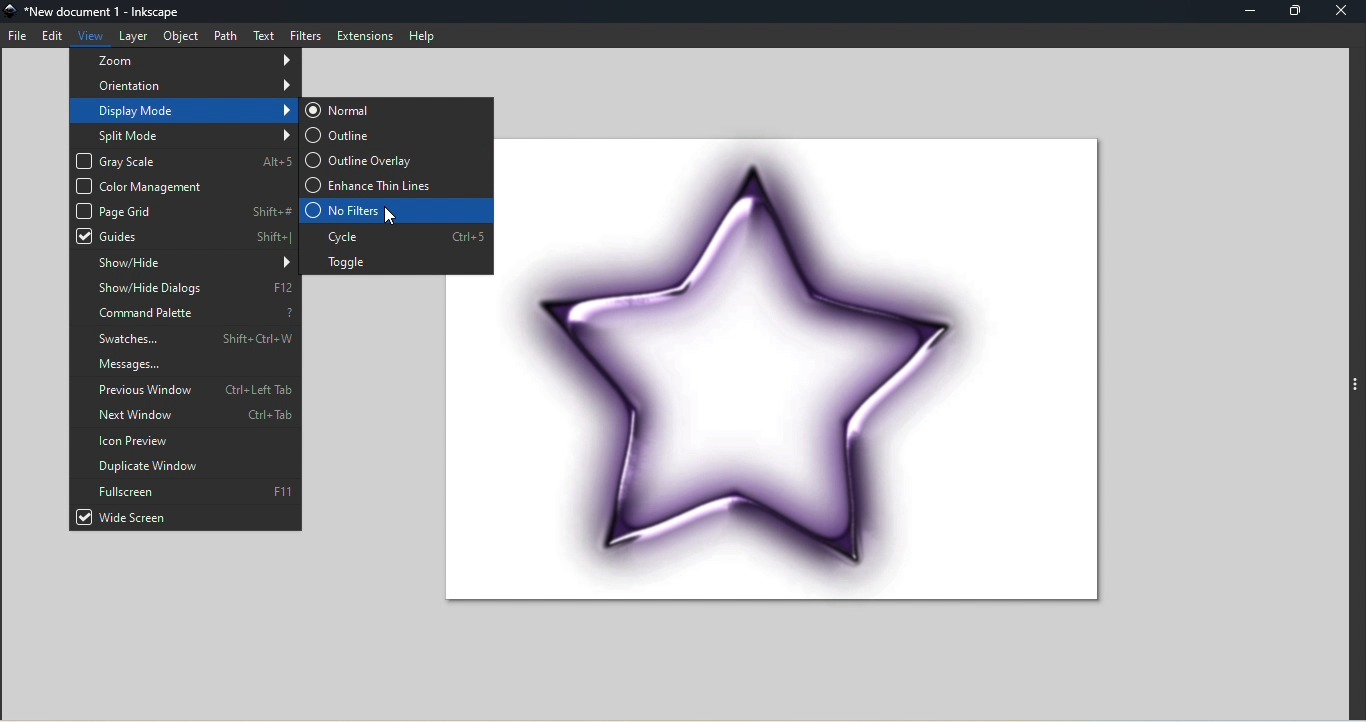 This screenshot has height=722, width=1366. What do you see at coordinates (185, 60) in the screenshot?
I see `Zoom` at bounding box center [185, 60].